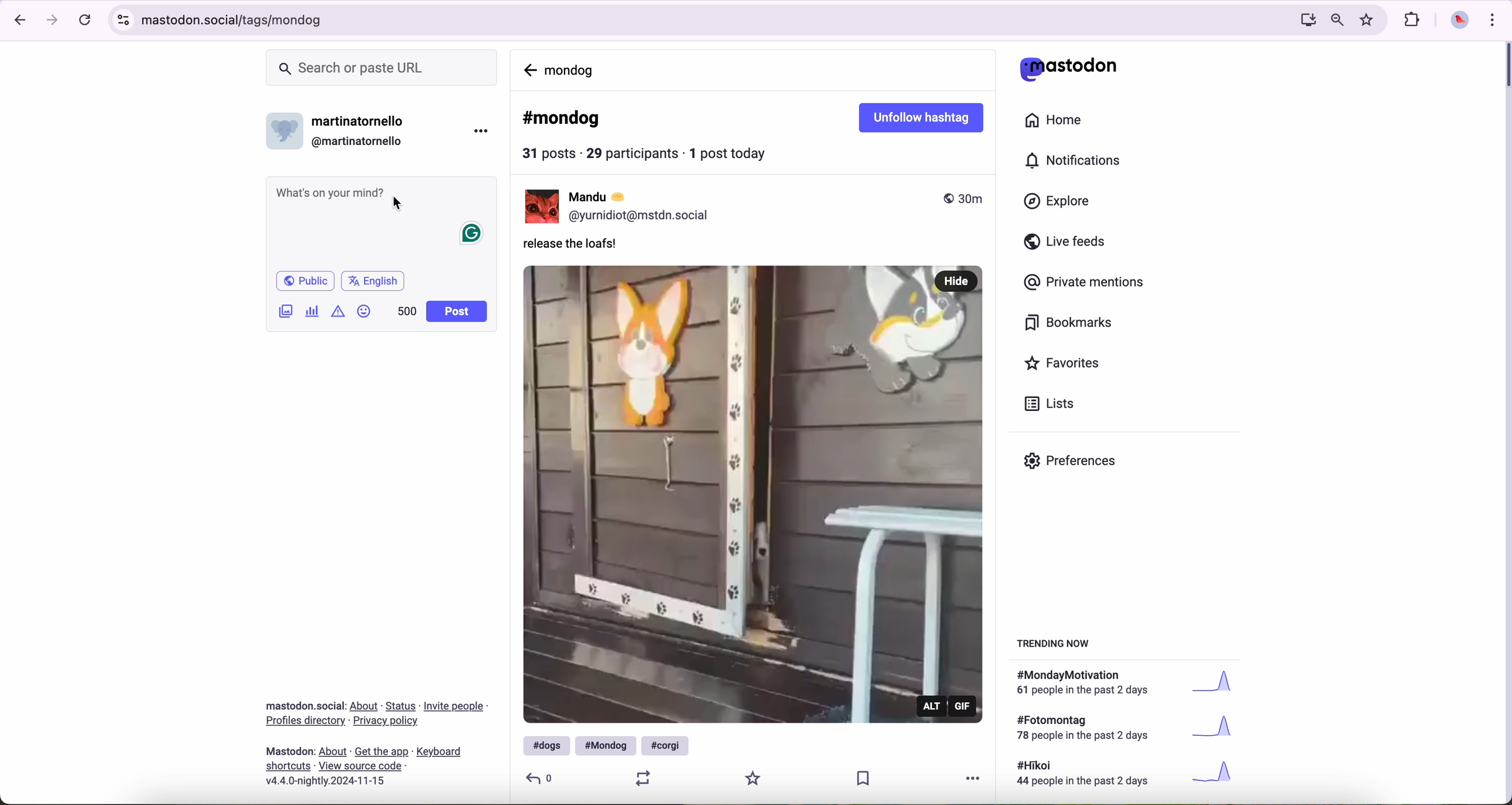  Describe the element at coordinates (480, 133) in the screenshot. I see `more options` at that location.